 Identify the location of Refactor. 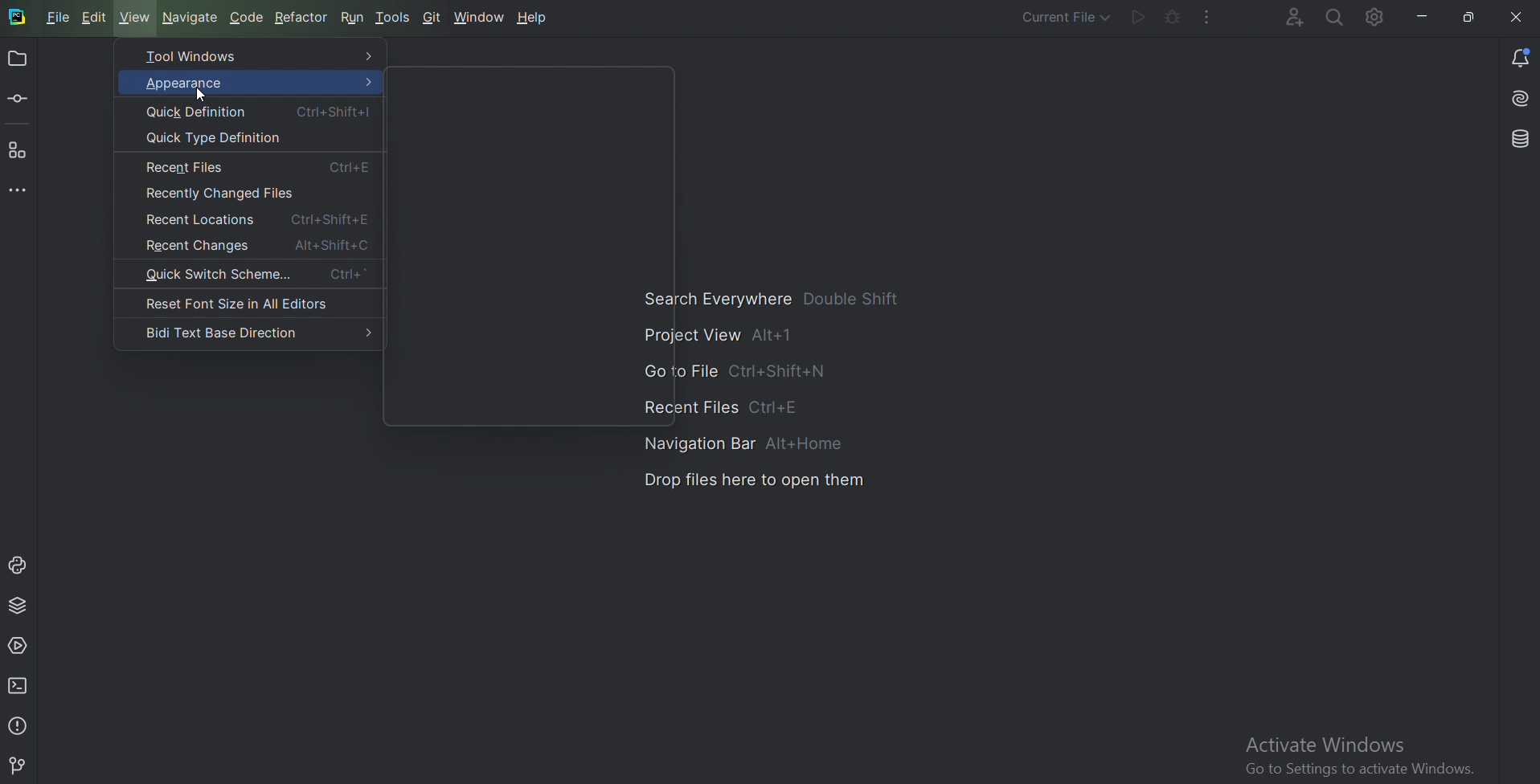
(303, 16).